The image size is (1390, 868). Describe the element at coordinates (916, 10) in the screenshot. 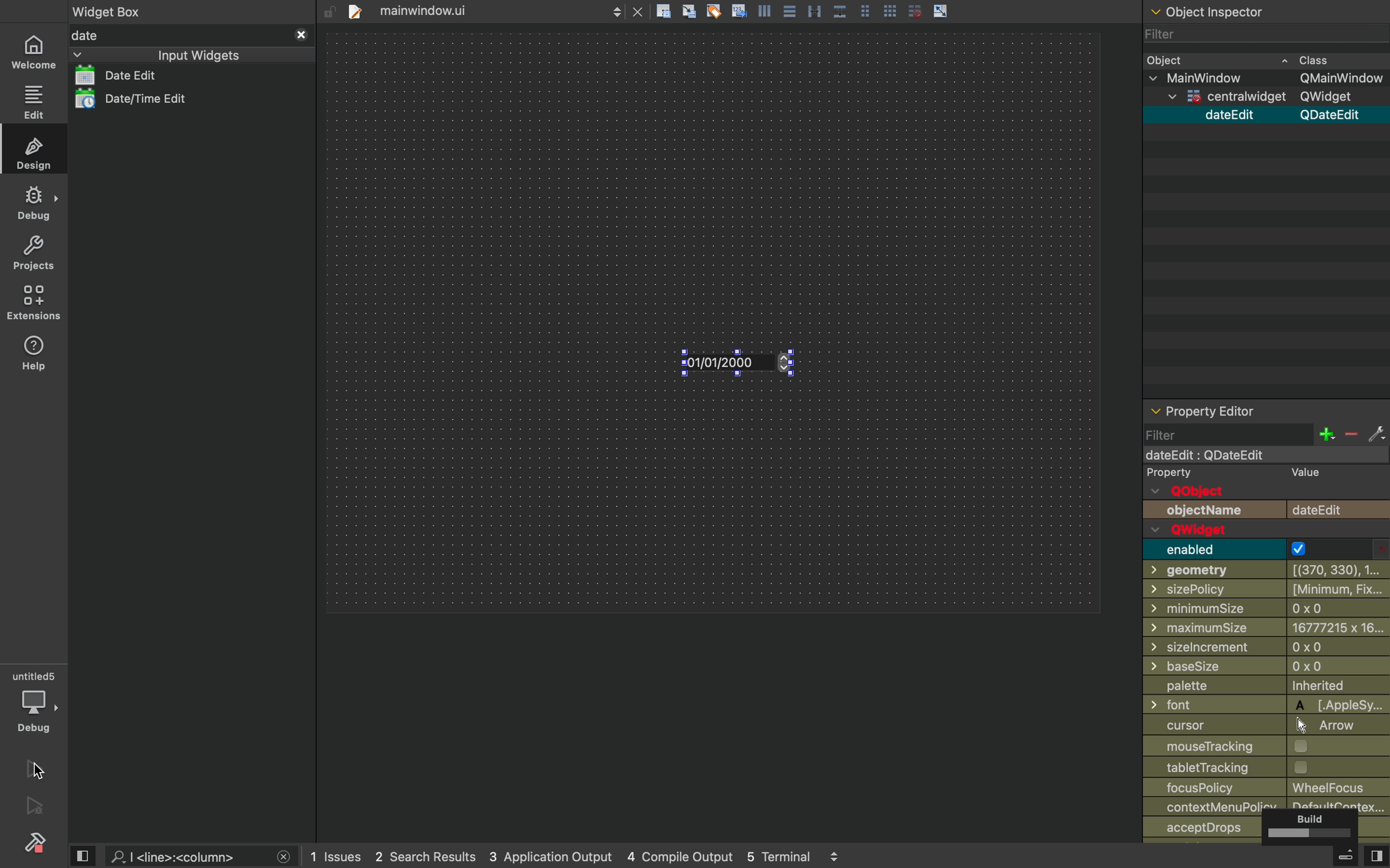

I see `disable grid snap` at that location.